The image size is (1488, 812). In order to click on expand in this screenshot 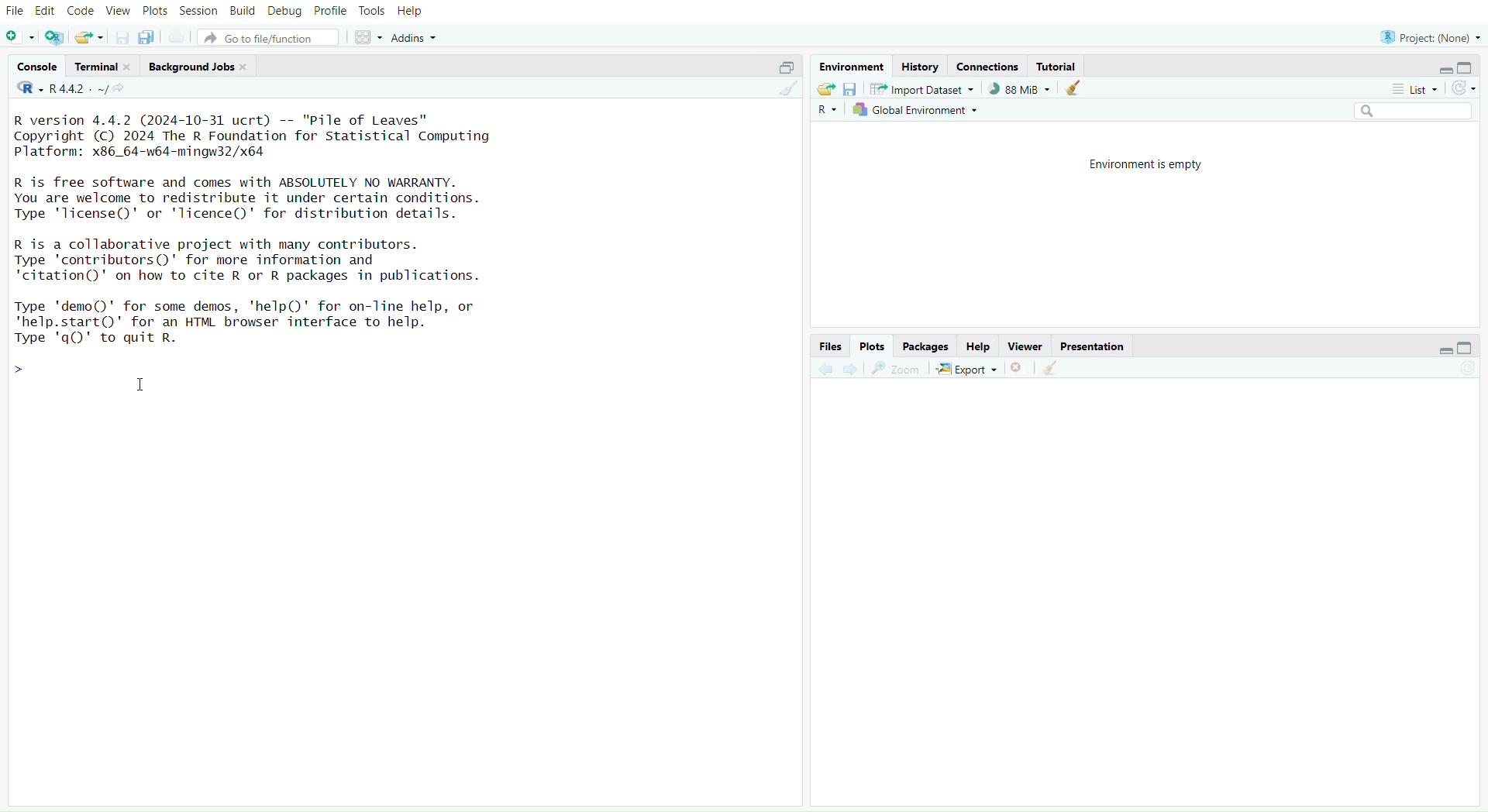, I will do `click(1438, 71)`.